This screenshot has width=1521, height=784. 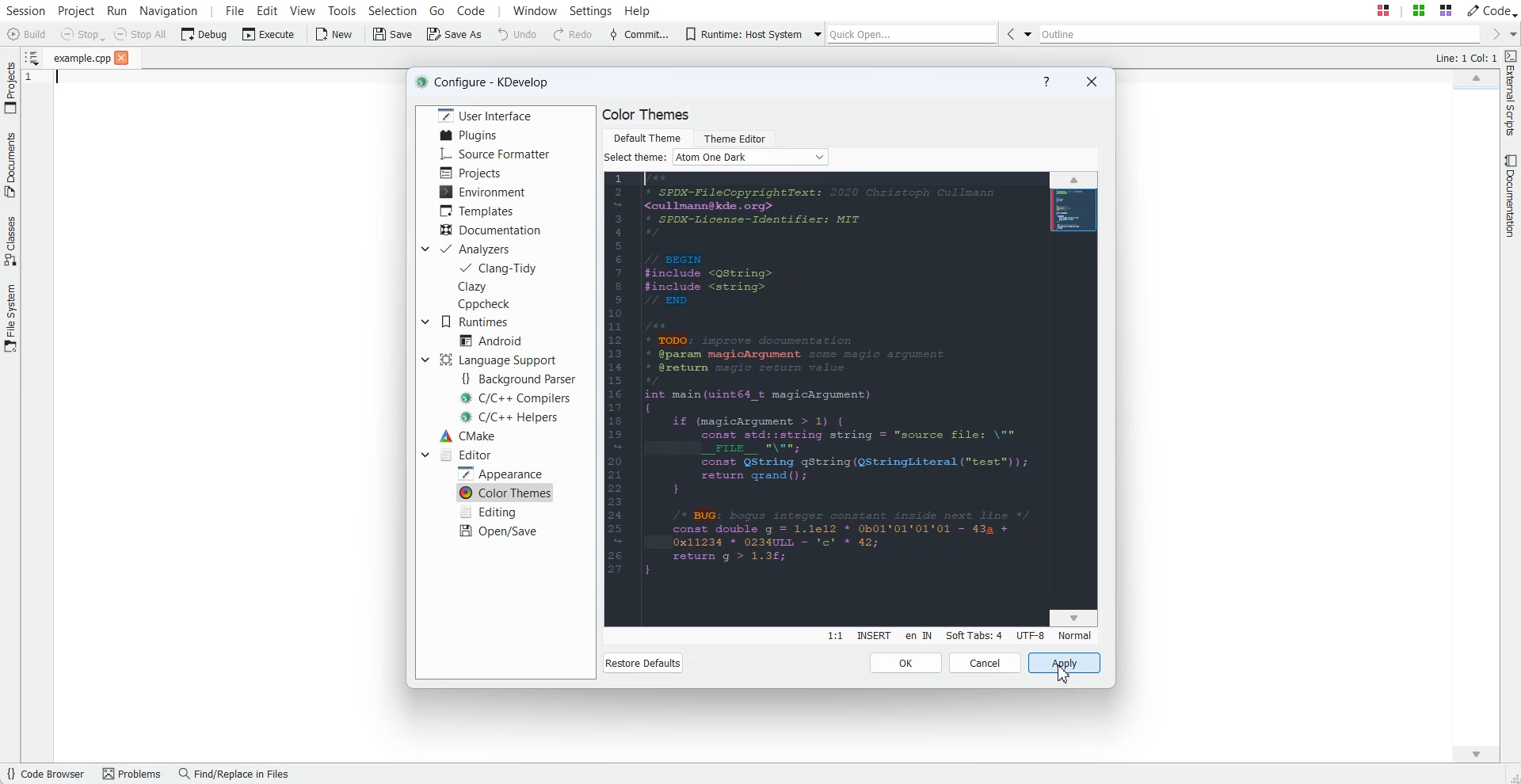 I want to click on Build, so click(x=25, y=34).